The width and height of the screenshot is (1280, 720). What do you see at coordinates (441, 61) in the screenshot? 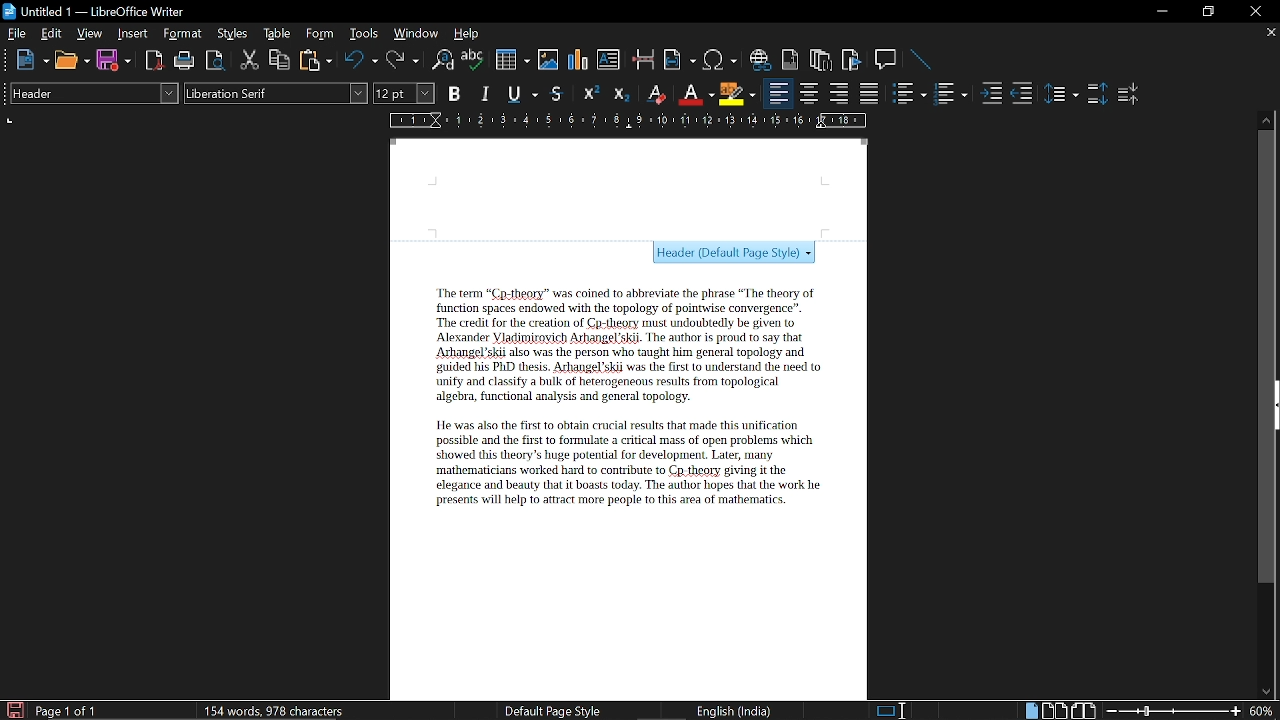
I see `Find and replace` at bounding box center [441, 61].